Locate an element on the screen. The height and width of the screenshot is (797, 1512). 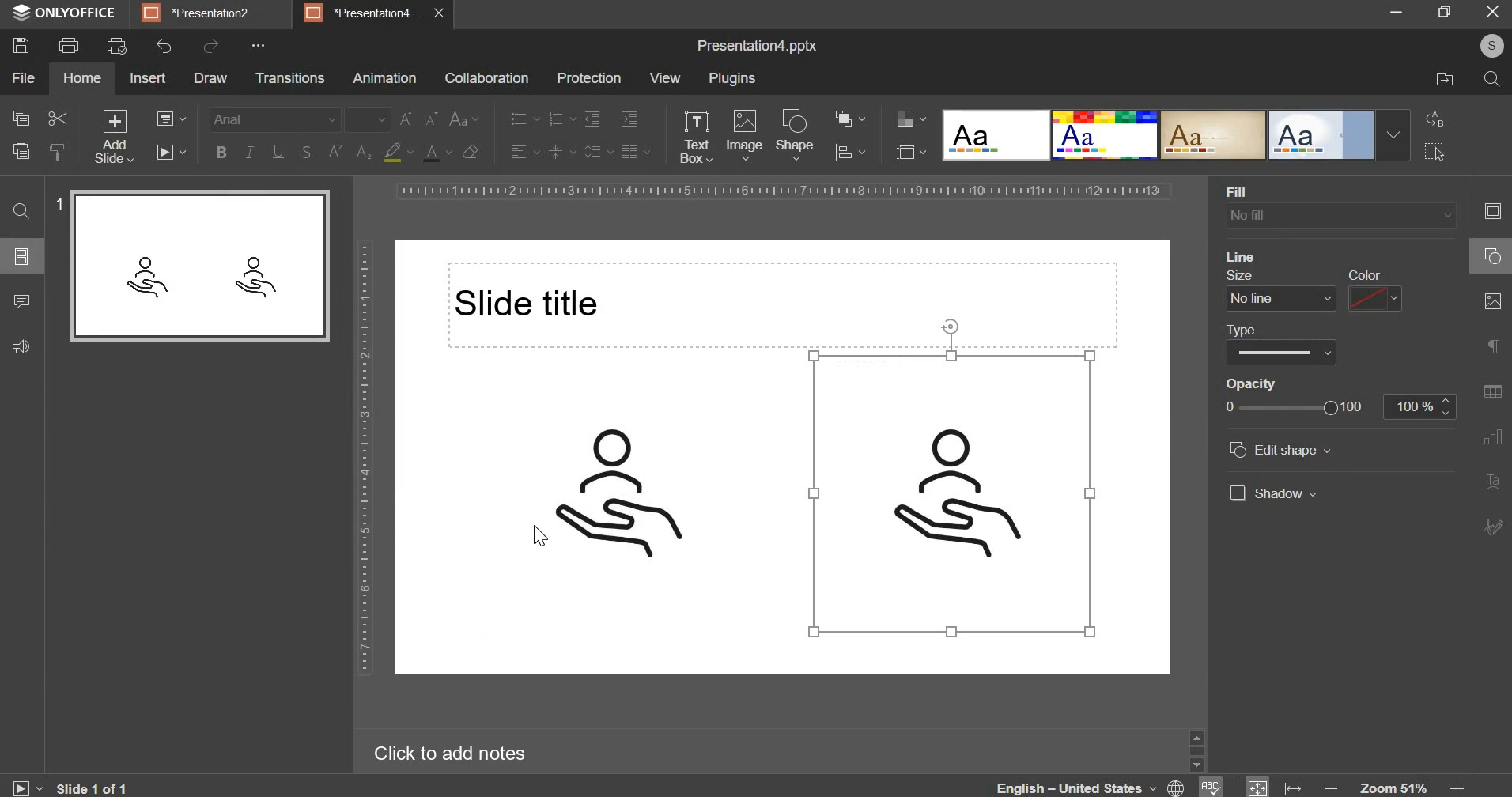
language is located at coordinates (1093, 786).